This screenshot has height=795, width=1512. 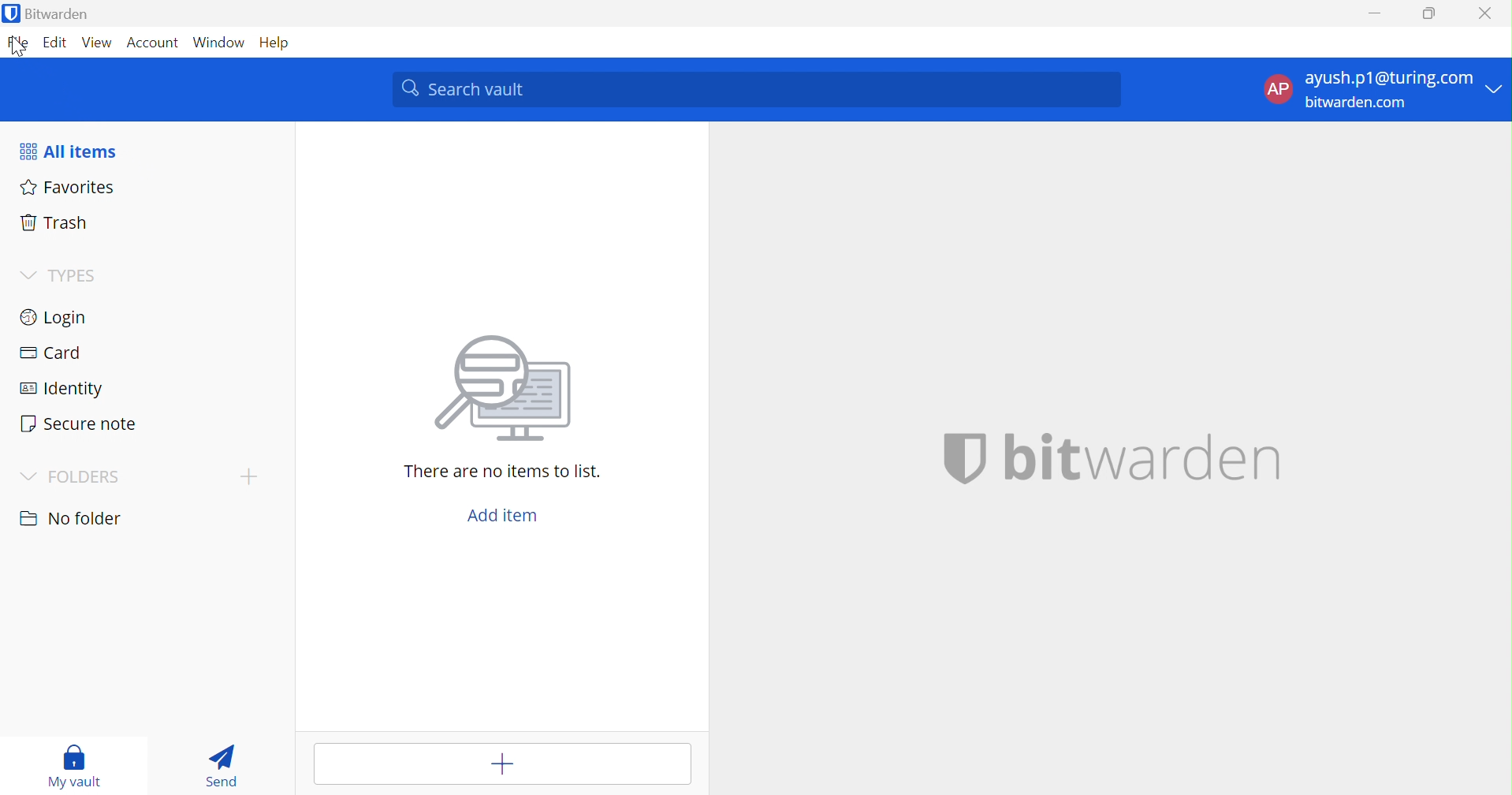 I want to click on Drop Down, so click(x=27, y=478).